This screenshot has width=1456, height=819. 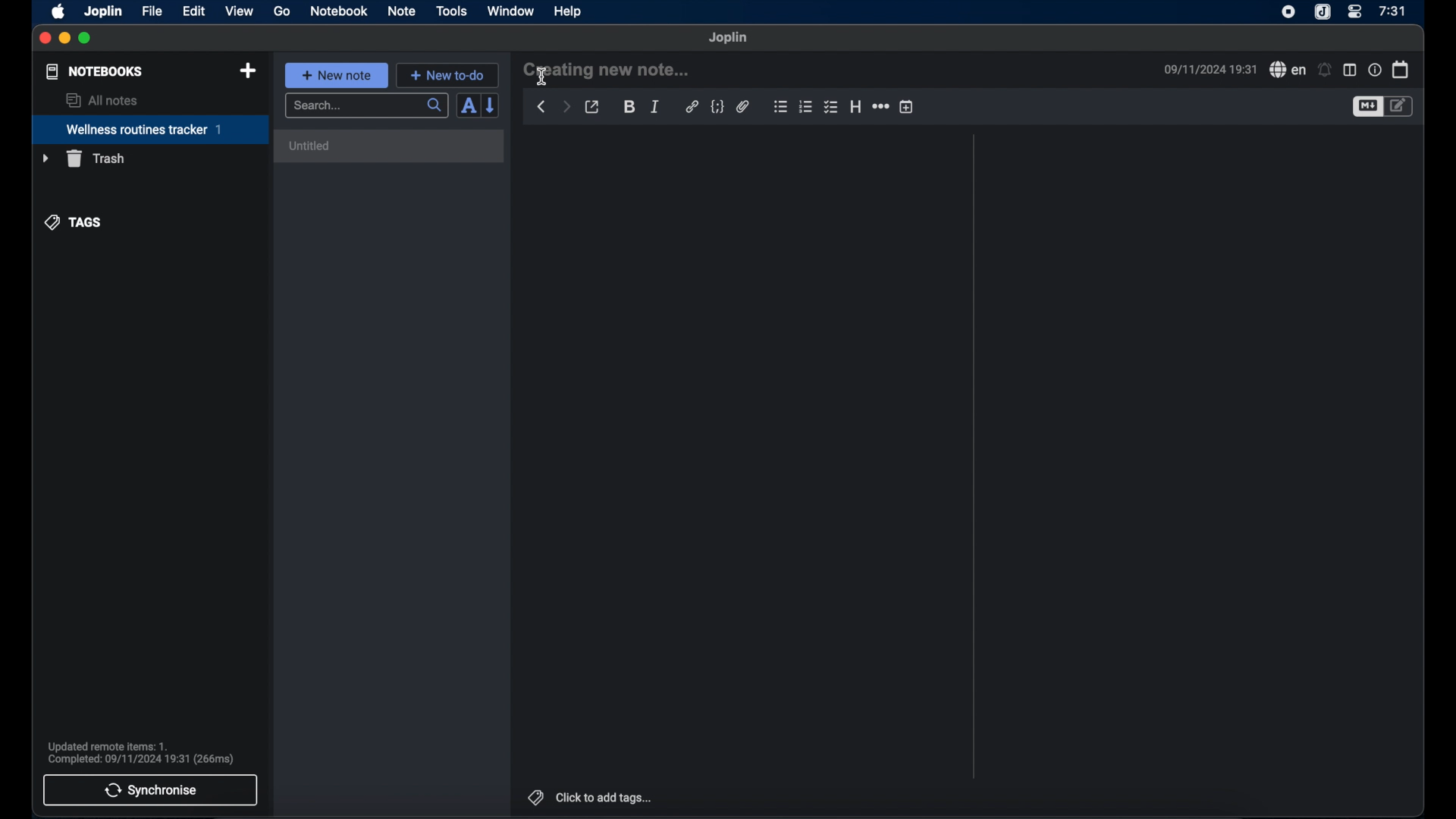 I want to click on toggle editors, so click(x=1401, y=107).